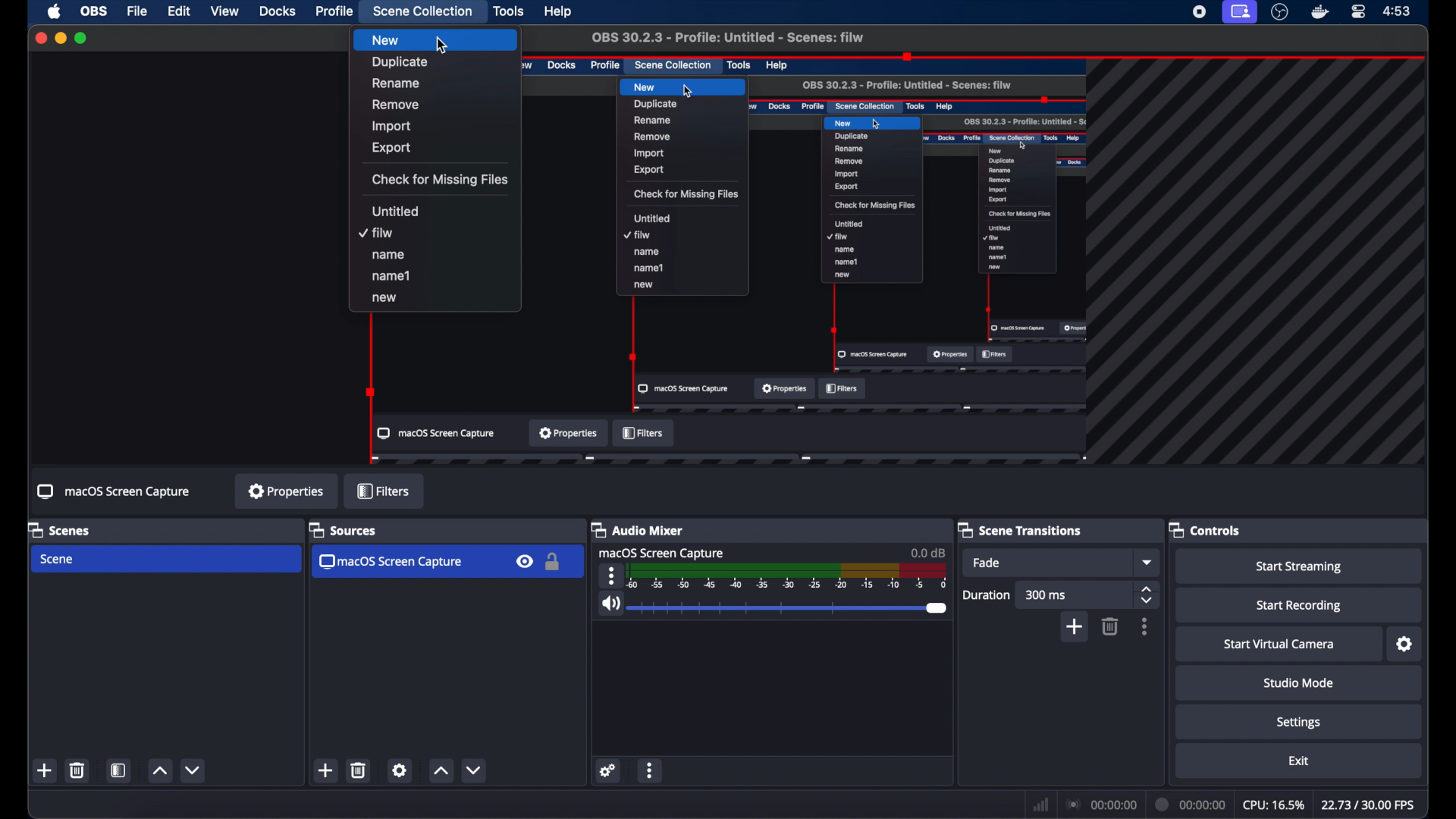 The width and height of the screenshot is (1456, 819). What do you see at coordinates (179, 12) in the screenshot?
I see `edit` at bounding box center [179, 12].